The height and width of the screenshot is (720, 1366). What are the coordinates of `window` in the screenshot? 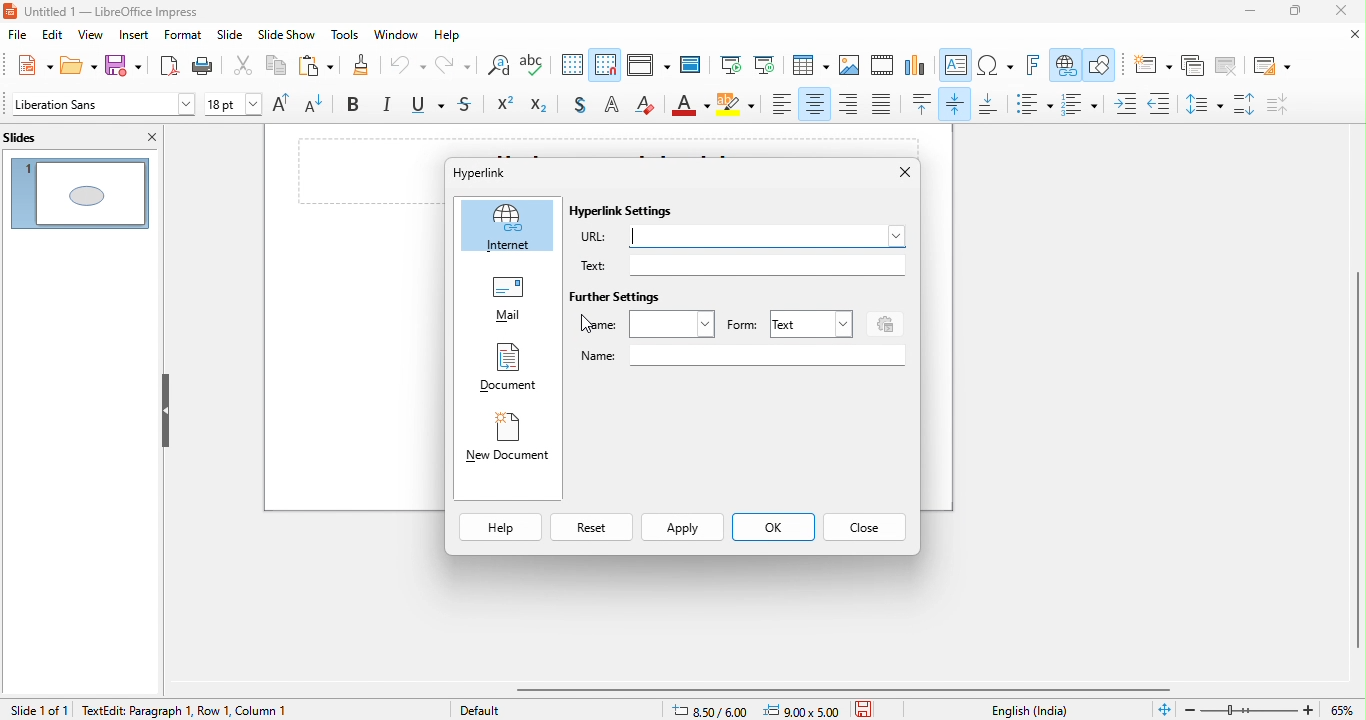 It's located at (399, 35).